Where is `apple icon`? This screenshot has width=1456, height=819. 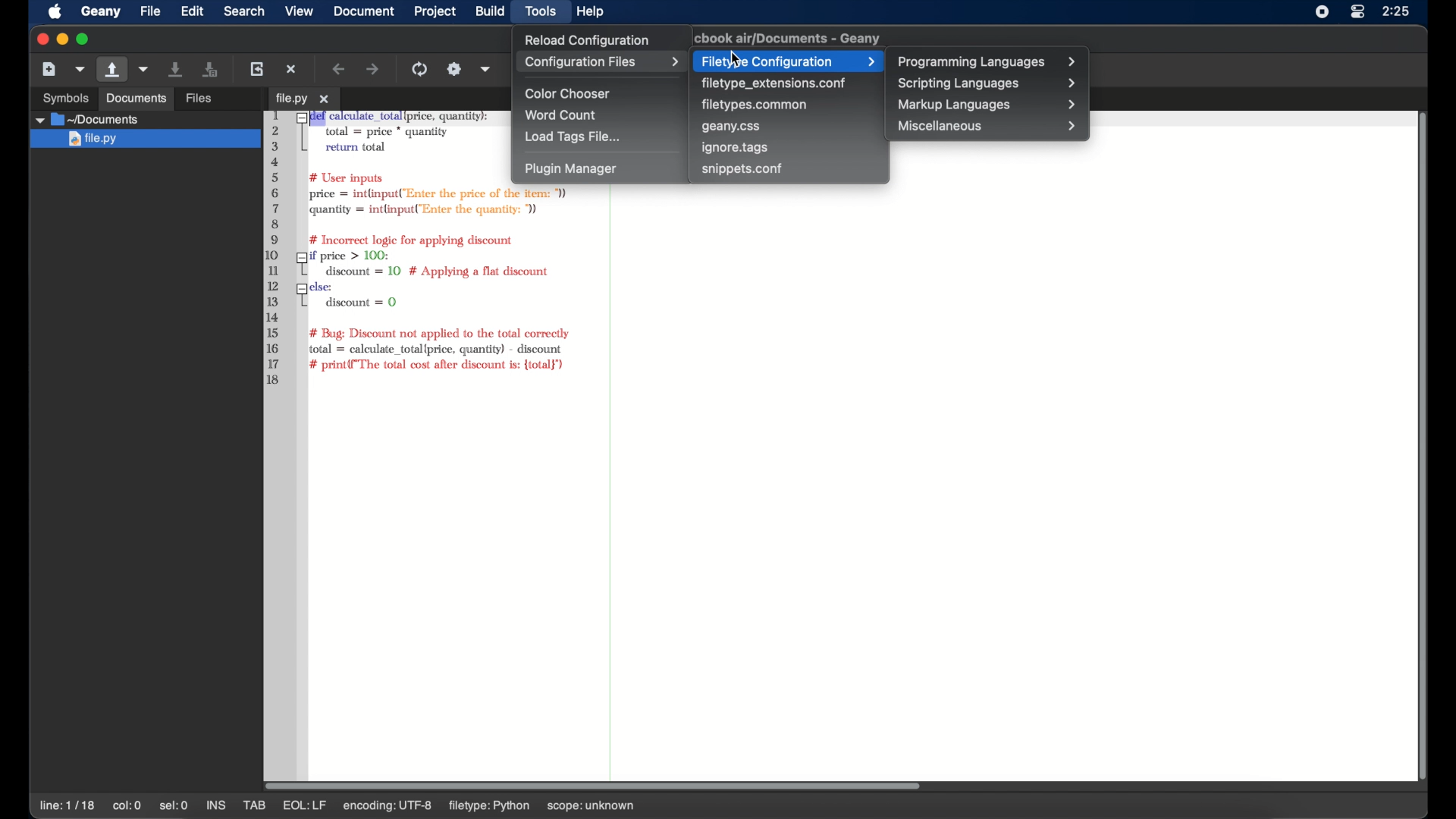 apple icon is located at coordinates (55, 12).